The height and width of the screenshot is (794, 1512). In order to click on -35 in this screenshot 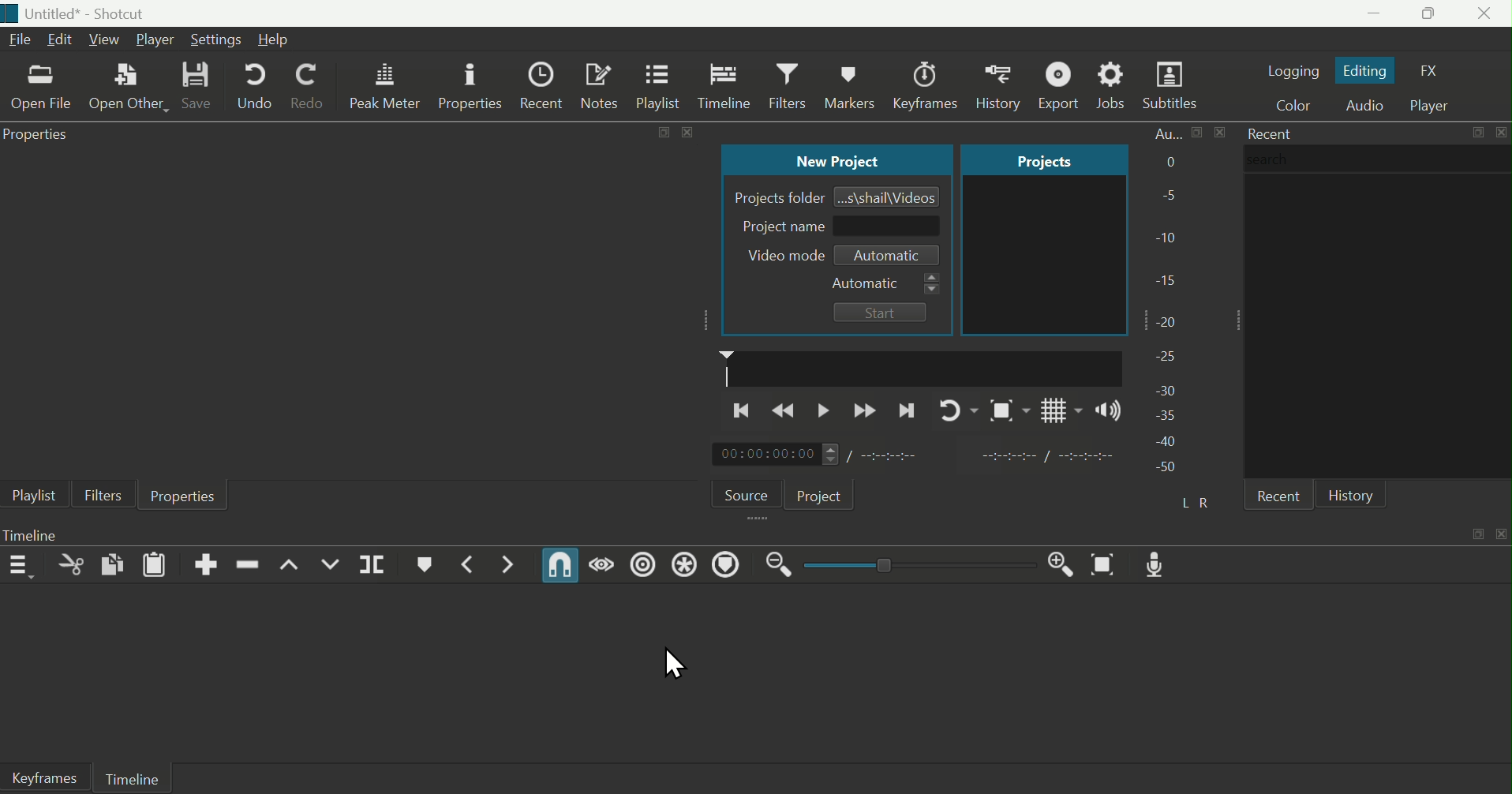, I will do `click(1163, 414)`.